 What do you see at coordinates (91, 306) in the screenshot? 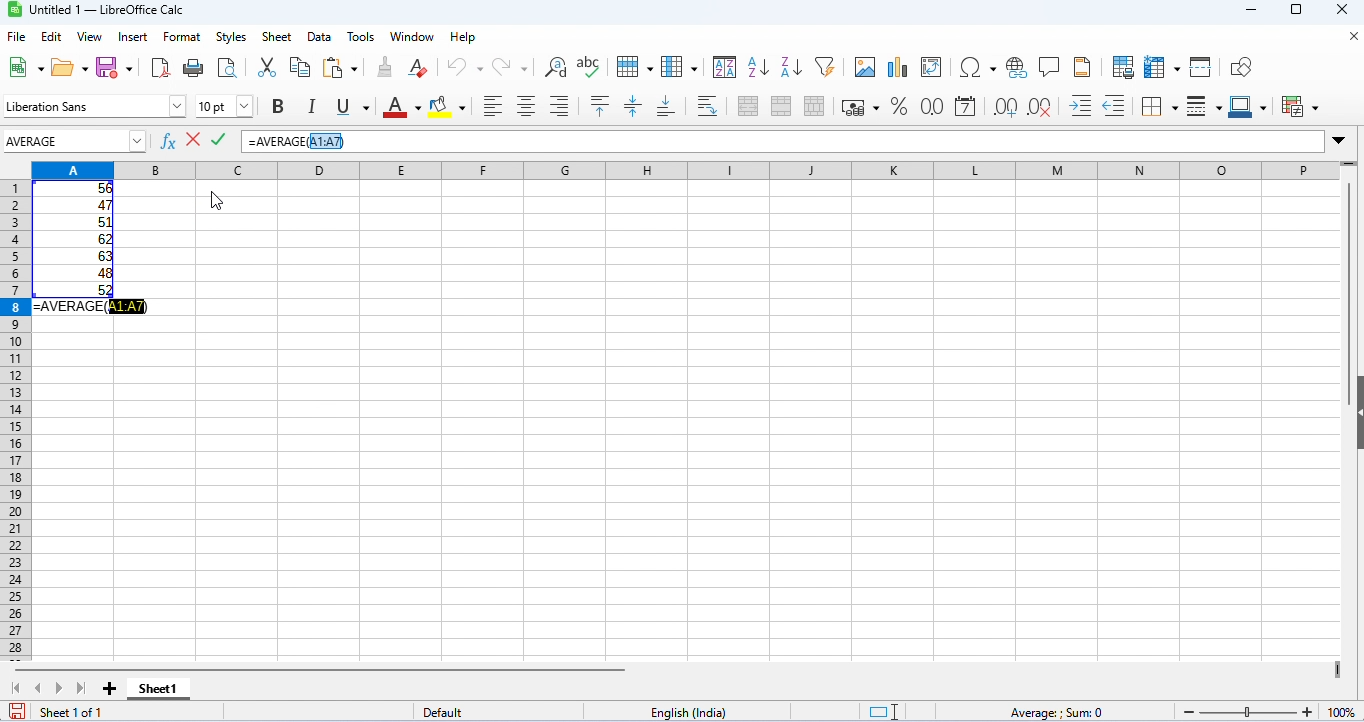
I see `formula appeared` at bounding box center [91, 306].